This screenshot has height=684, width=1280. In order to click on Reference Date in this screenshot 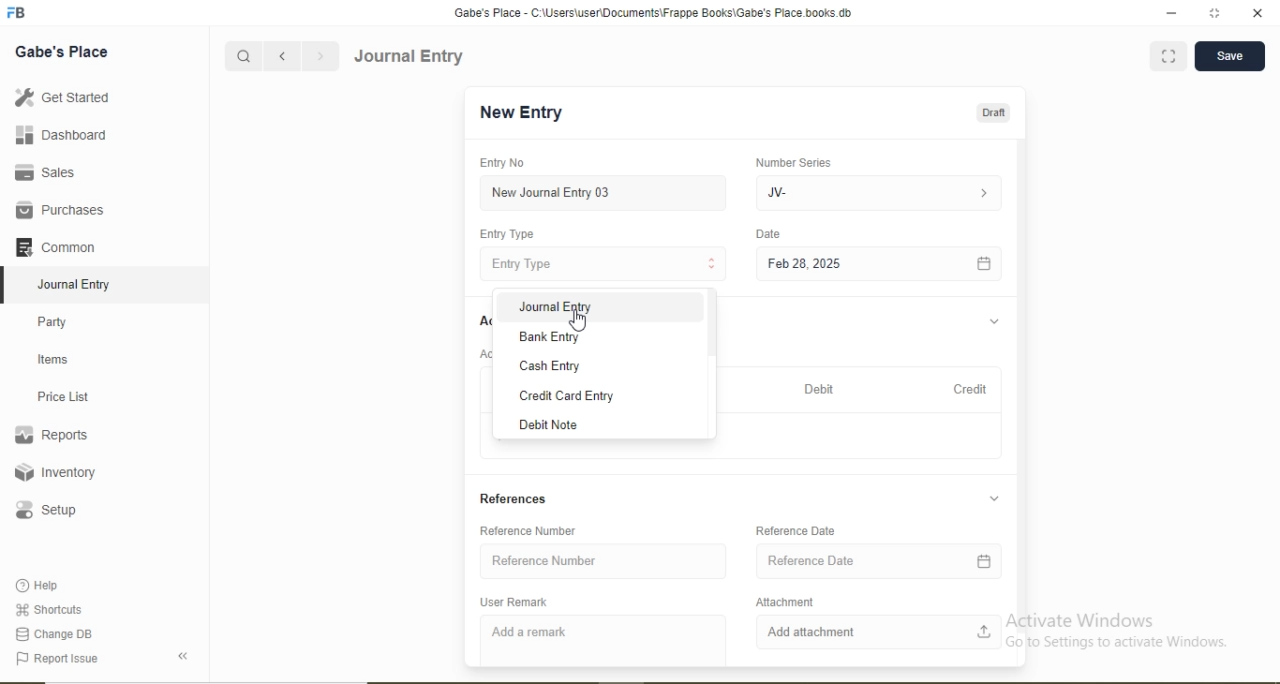, I will do `click(811, 560)`.